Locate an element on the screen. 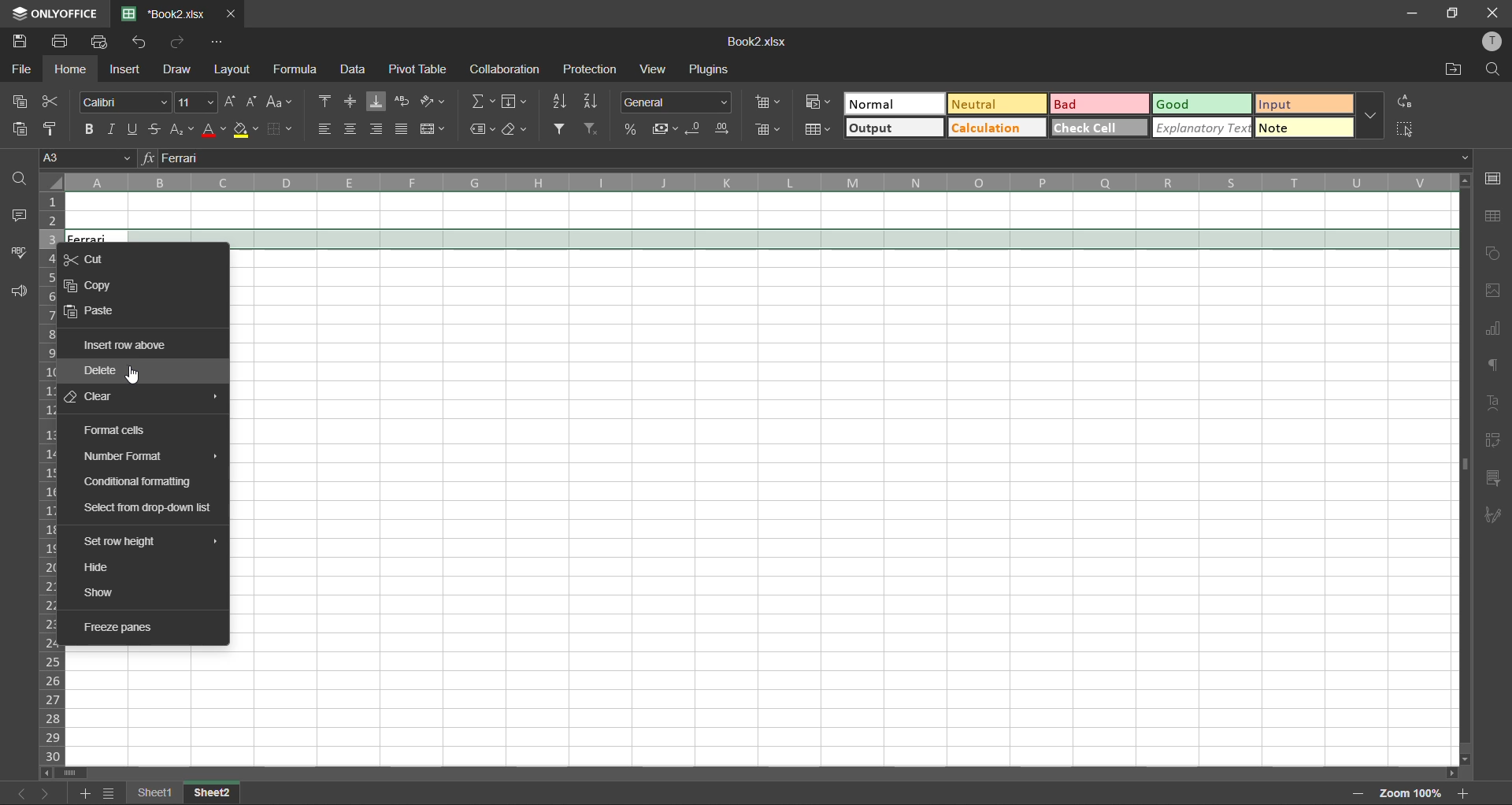 This screenshot has width=1512, height=805. paste is located at coordinates (21, 131).